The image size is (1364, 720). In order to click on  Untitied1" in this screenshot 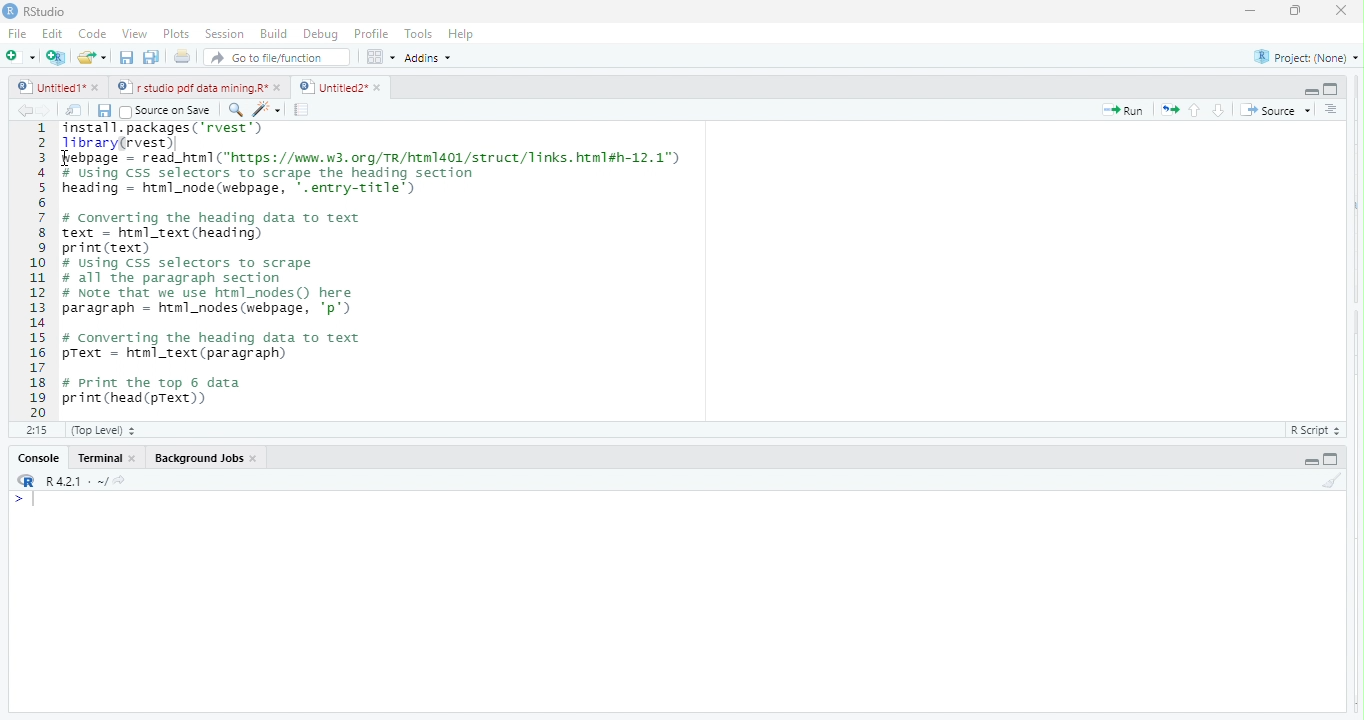, I will do `click(47, 87)`.